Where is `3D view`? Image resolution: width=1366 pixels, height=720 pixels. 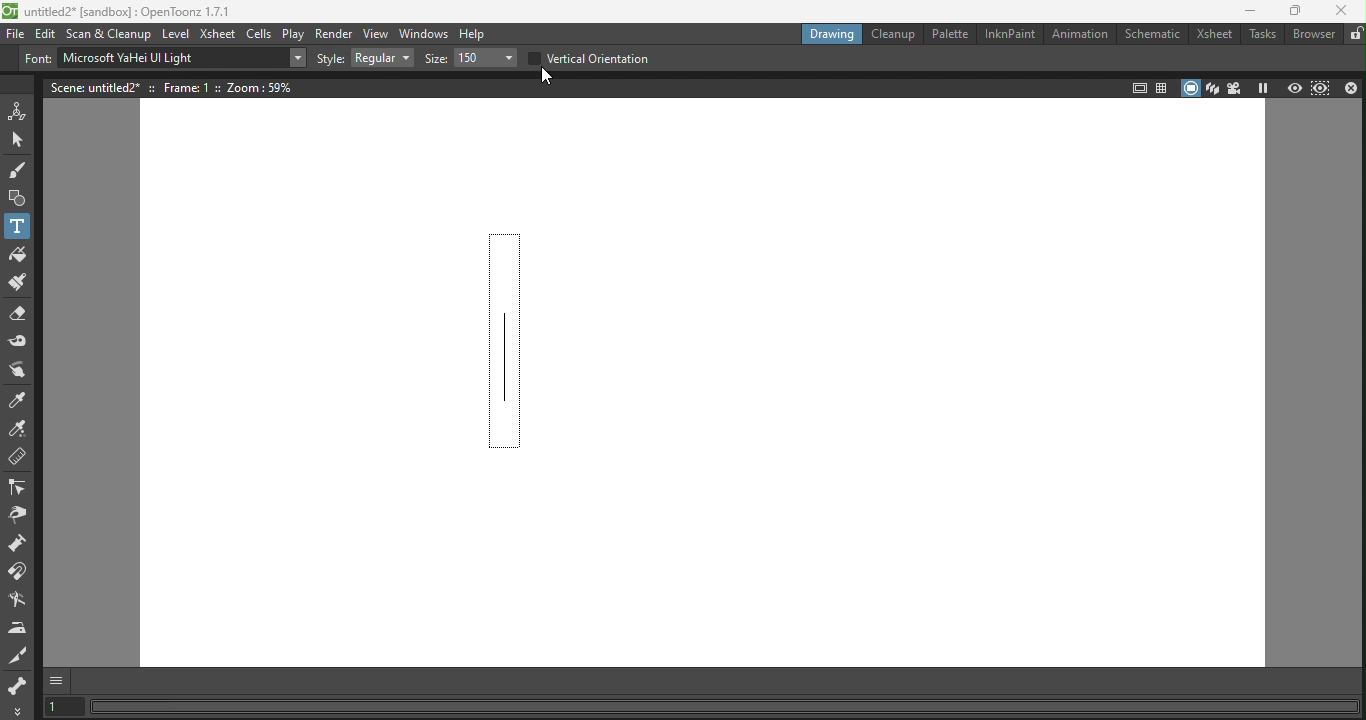 3D view is located at coordinates (1213, 87).